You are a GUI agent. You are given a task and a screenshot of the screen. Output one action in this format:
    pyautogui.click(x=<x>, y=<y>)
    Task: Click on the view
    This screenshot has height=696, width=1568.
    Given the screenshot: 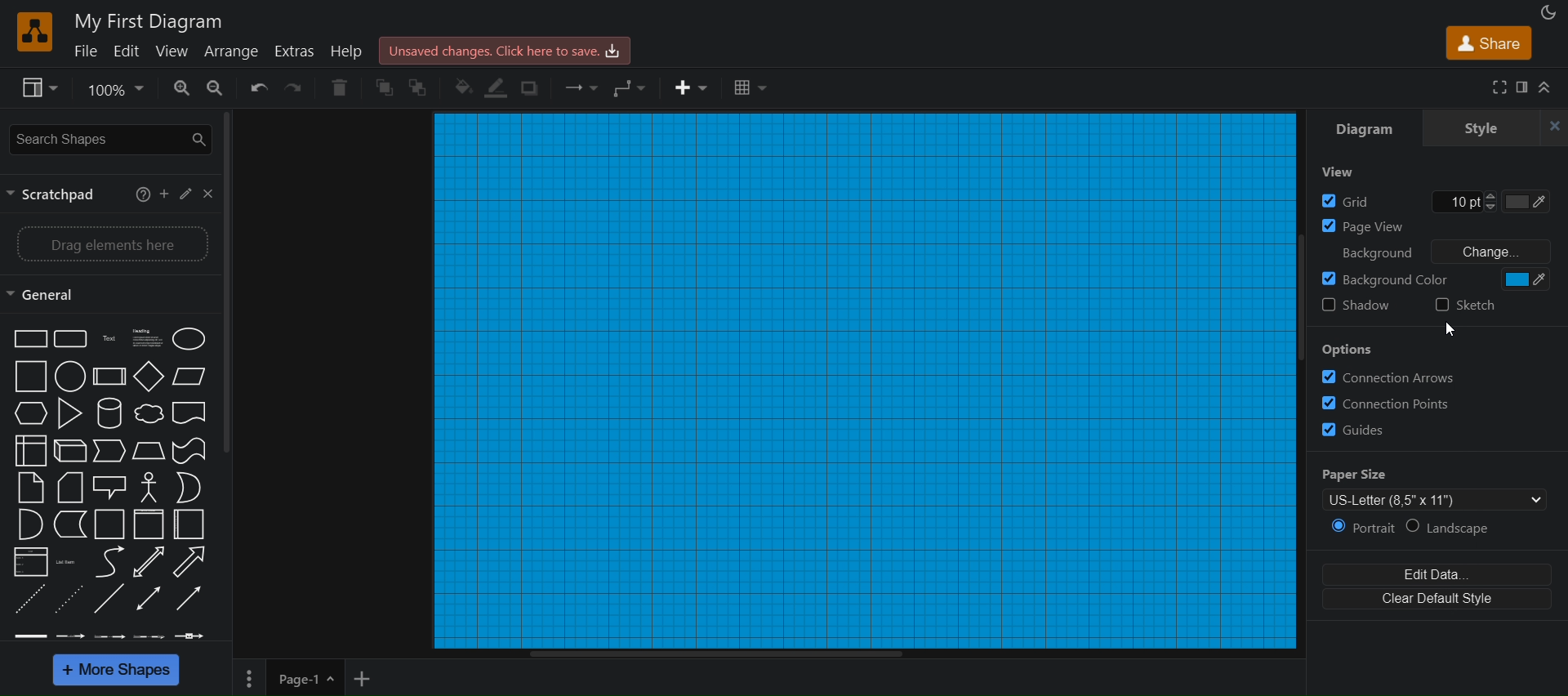 What is the action you would take?
    pyautogui.click(x=39, y=88)
    